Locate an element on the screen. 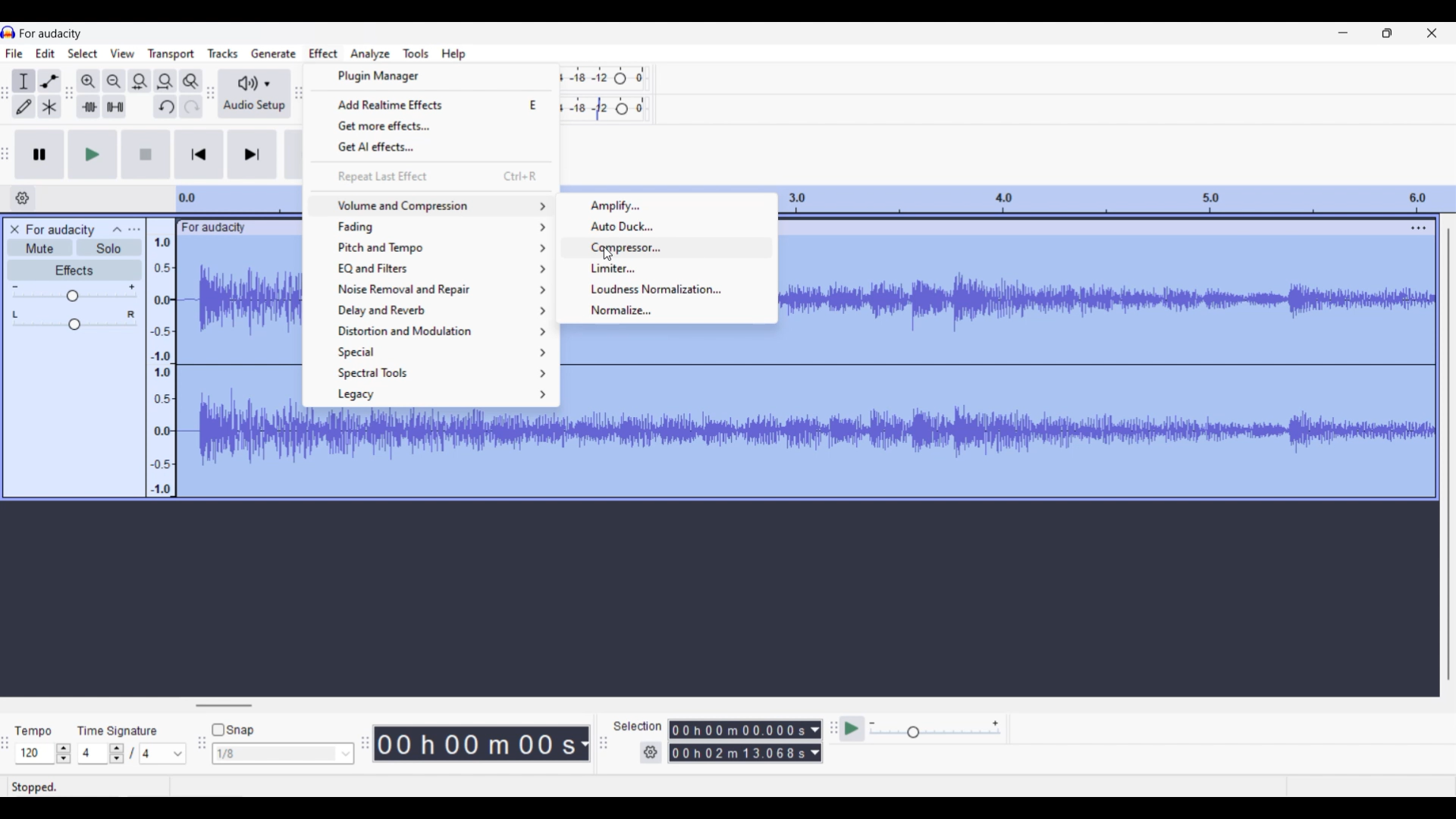  Play/Play once is located at coordinates (93, 155).